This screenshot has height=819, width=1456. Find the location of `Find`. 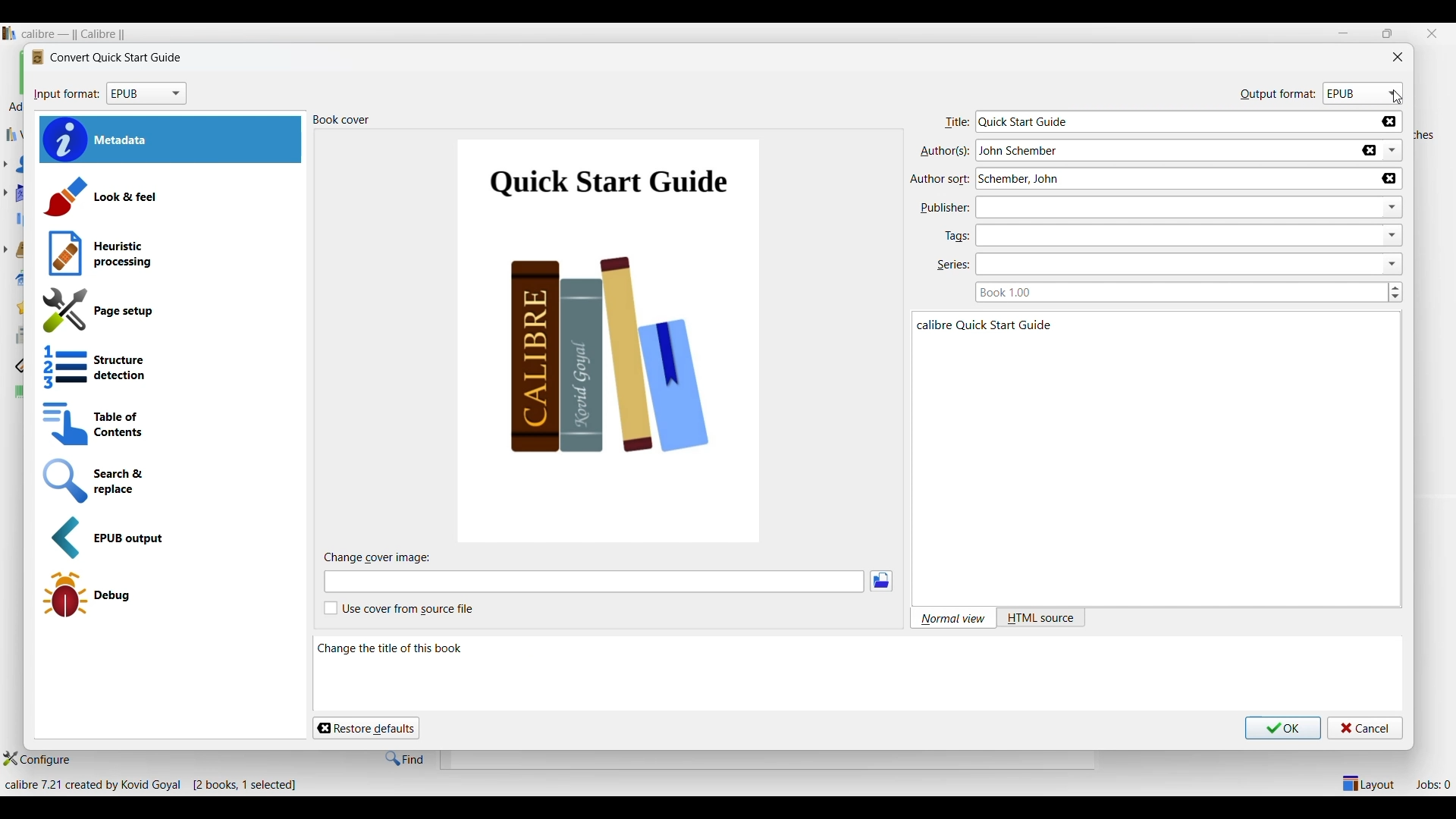

Find is located at coordinates (404, 759).